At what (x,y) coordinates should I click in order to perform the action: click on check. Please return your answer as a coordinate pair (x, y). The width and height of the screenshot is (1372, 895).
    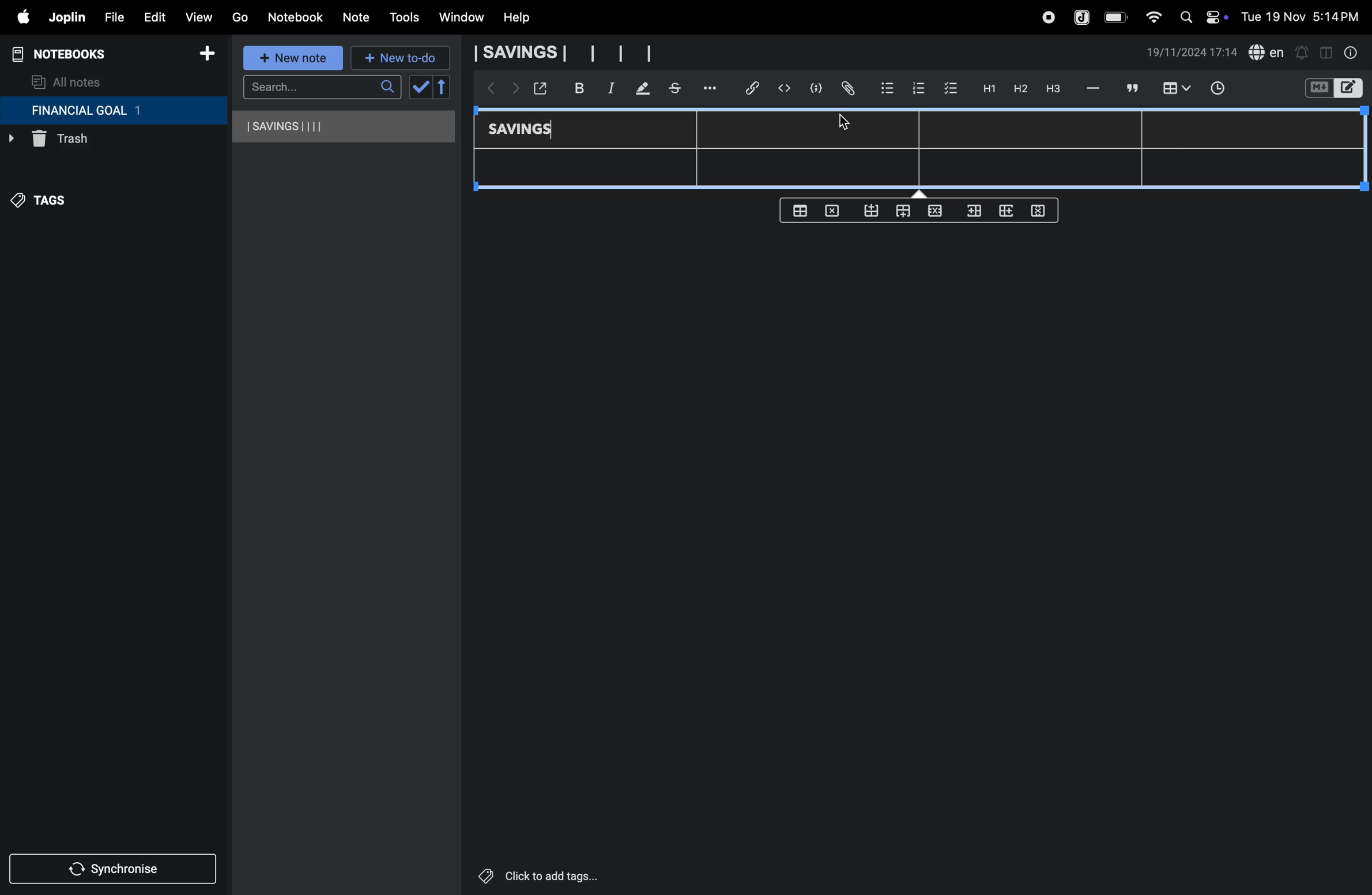
    Looking at the image, I should click on (419, 88).